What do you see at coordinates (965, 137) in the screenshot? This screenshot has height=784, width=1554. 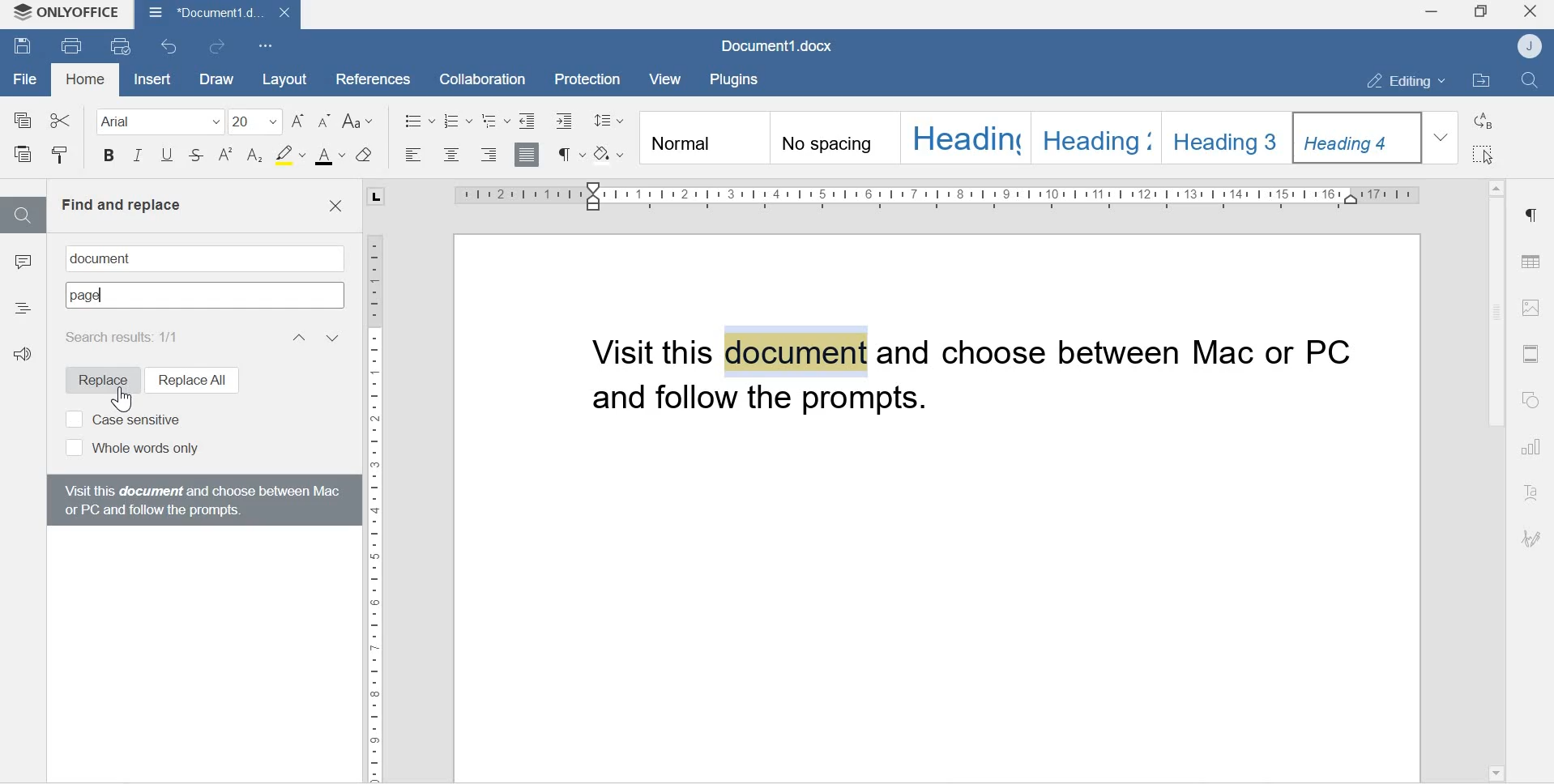 I see `Heading 1` at bounding box center [965, 137].